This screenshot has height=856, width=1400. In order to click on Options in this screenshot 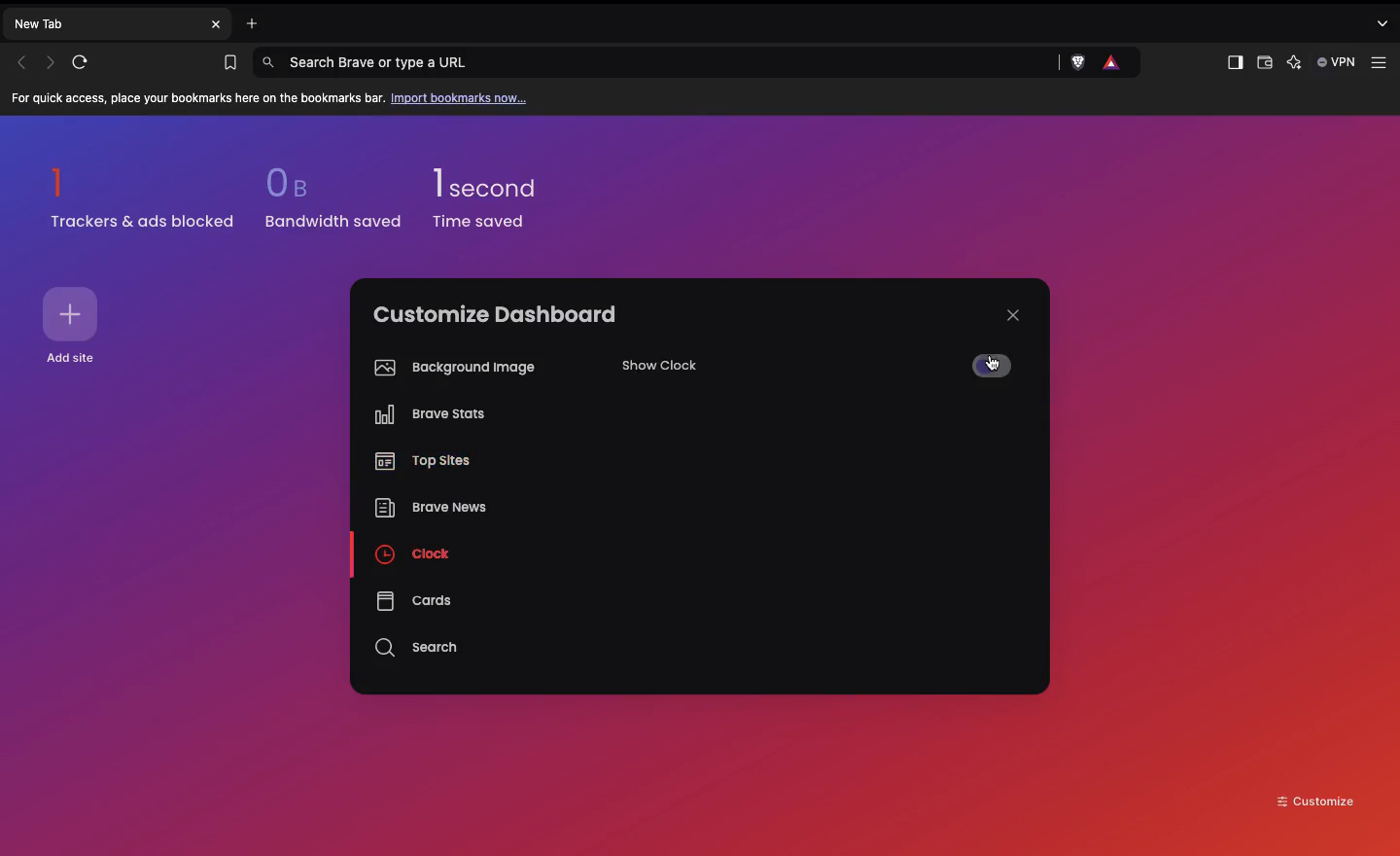, I will do `click(1385, 22)`.